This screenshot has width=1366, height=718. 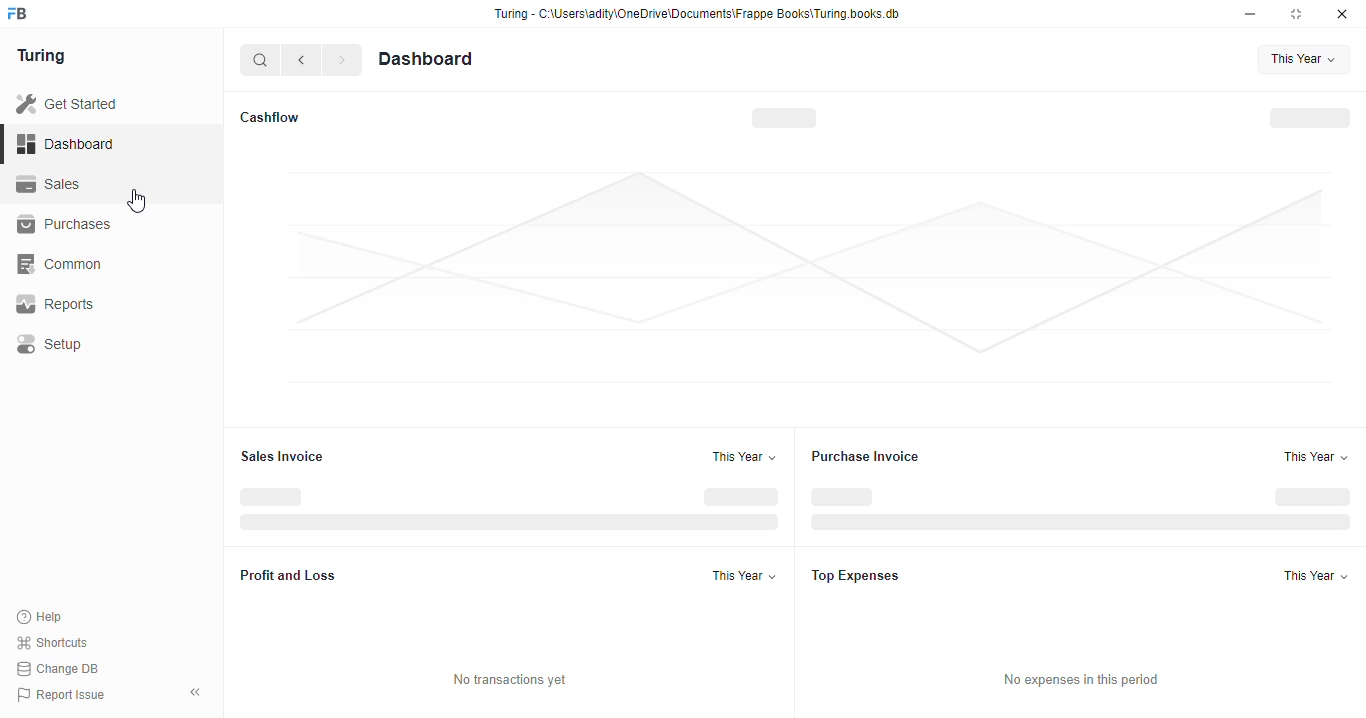 What do you see at coordinates (1314, 576) in the screenshot?
I see `This Year` at bounding box center [1314, 576].